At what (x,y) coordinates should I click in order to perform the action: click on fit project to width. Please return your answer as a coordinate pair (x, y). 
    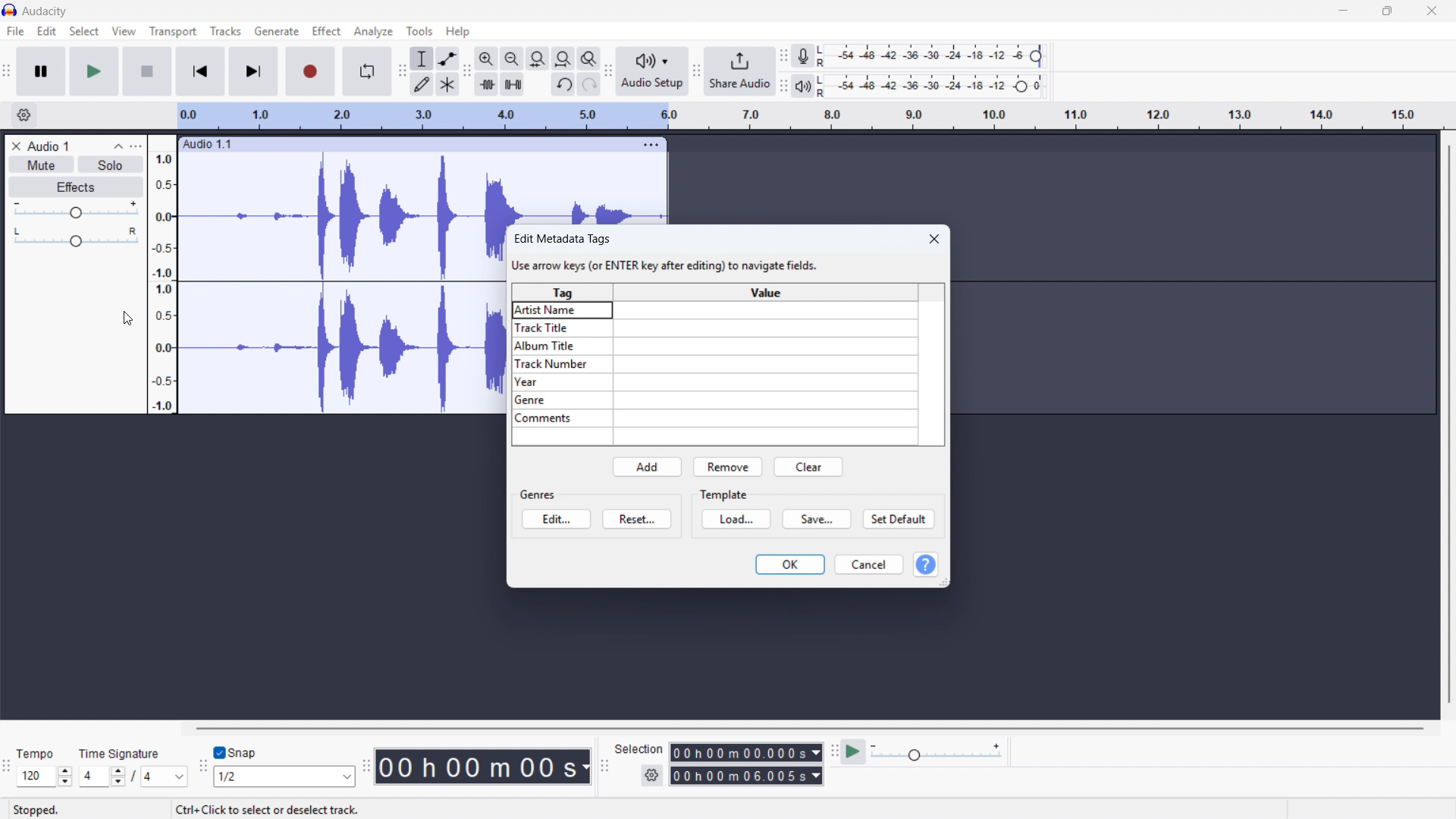
    Looking at the image, I should click on (564, 58).